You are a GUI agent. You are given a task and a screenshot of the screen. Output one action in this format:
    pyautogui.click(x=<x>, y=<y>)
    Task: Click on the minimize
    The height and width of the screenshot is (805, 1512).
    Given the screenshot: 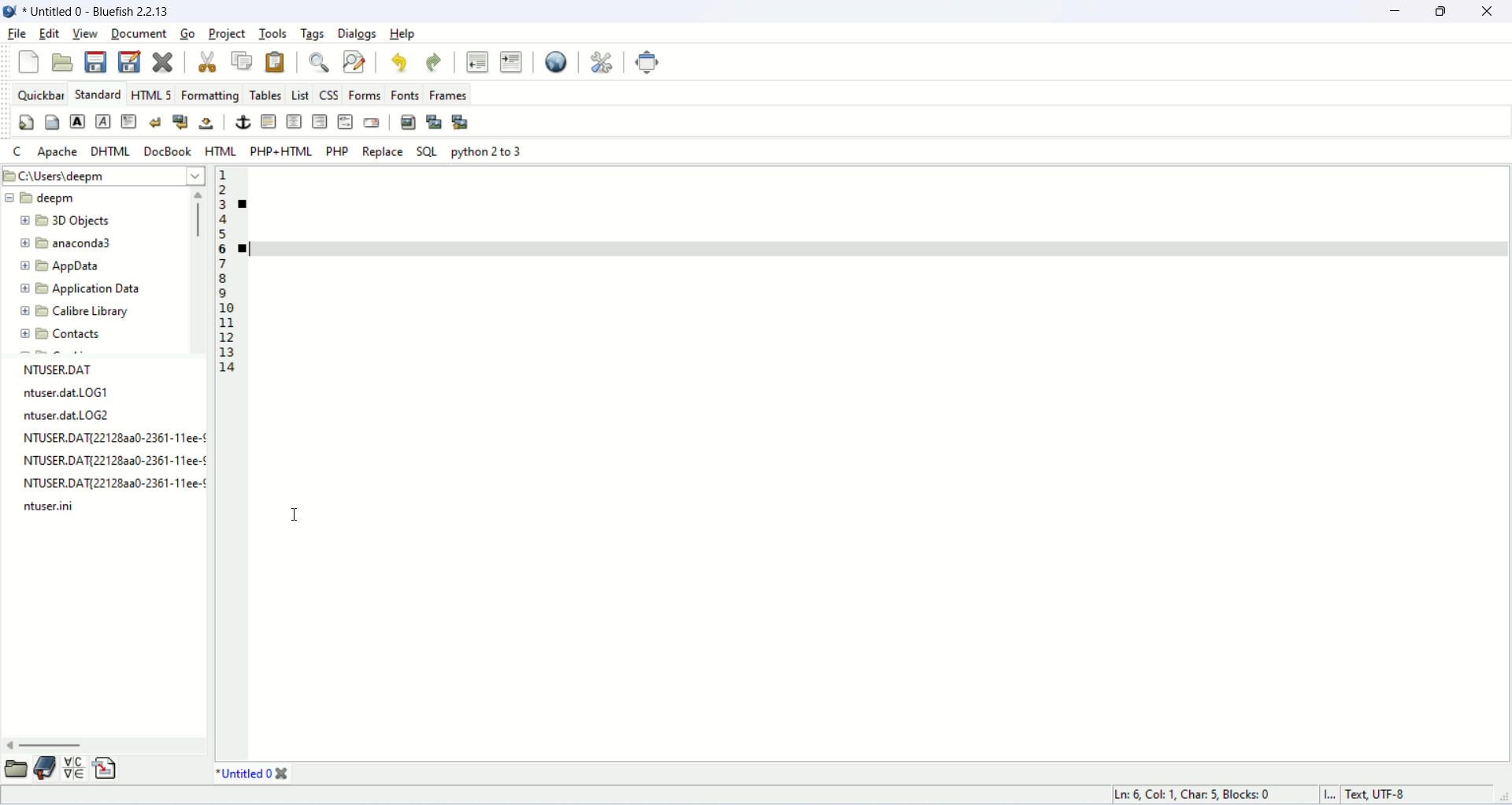 What is the action you would take?
    pyautogui.click(x=1396, y=12)
    